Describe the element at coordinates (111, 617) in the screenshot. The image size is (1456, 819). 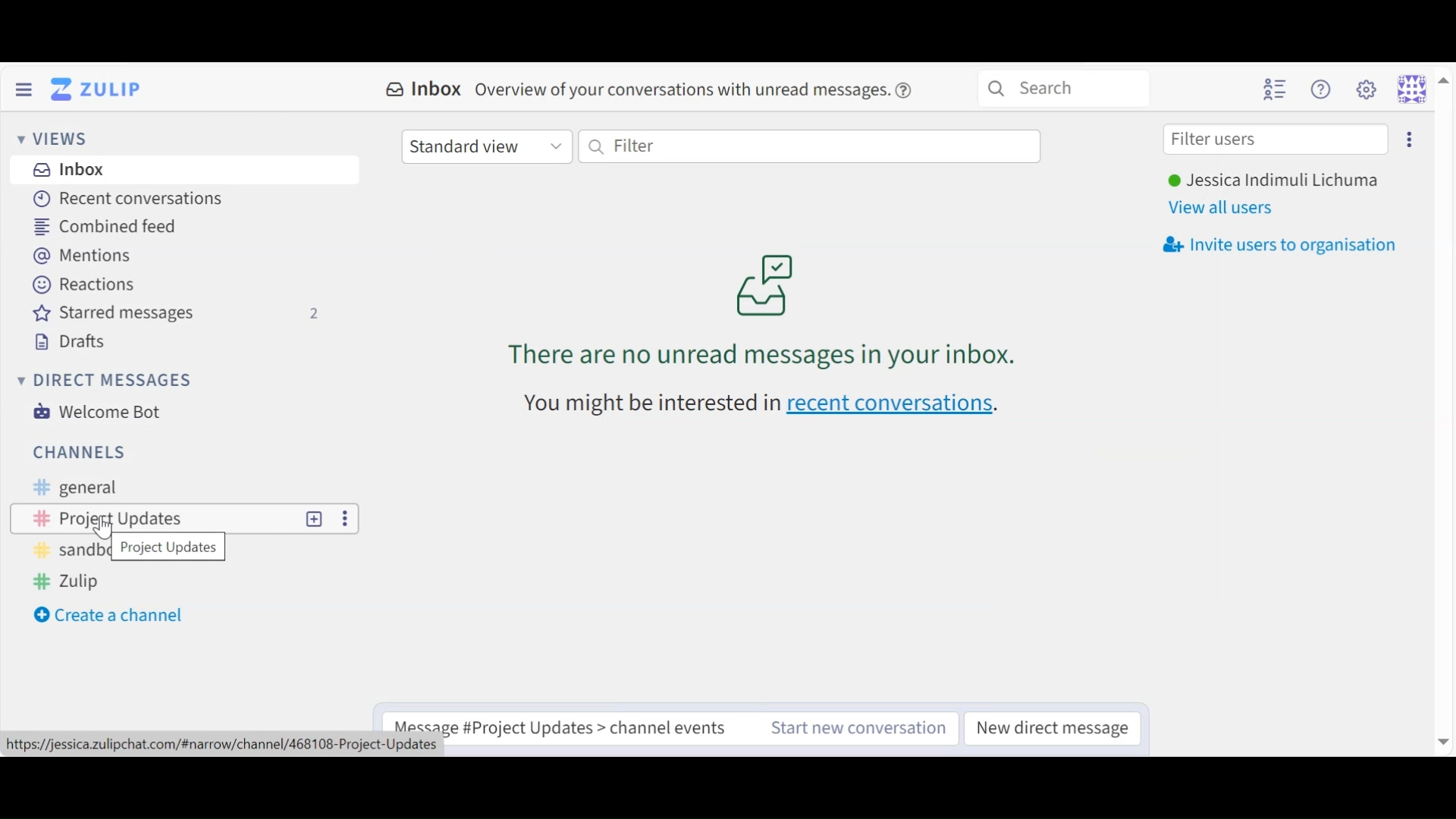
I see `Create a channel` at that location.